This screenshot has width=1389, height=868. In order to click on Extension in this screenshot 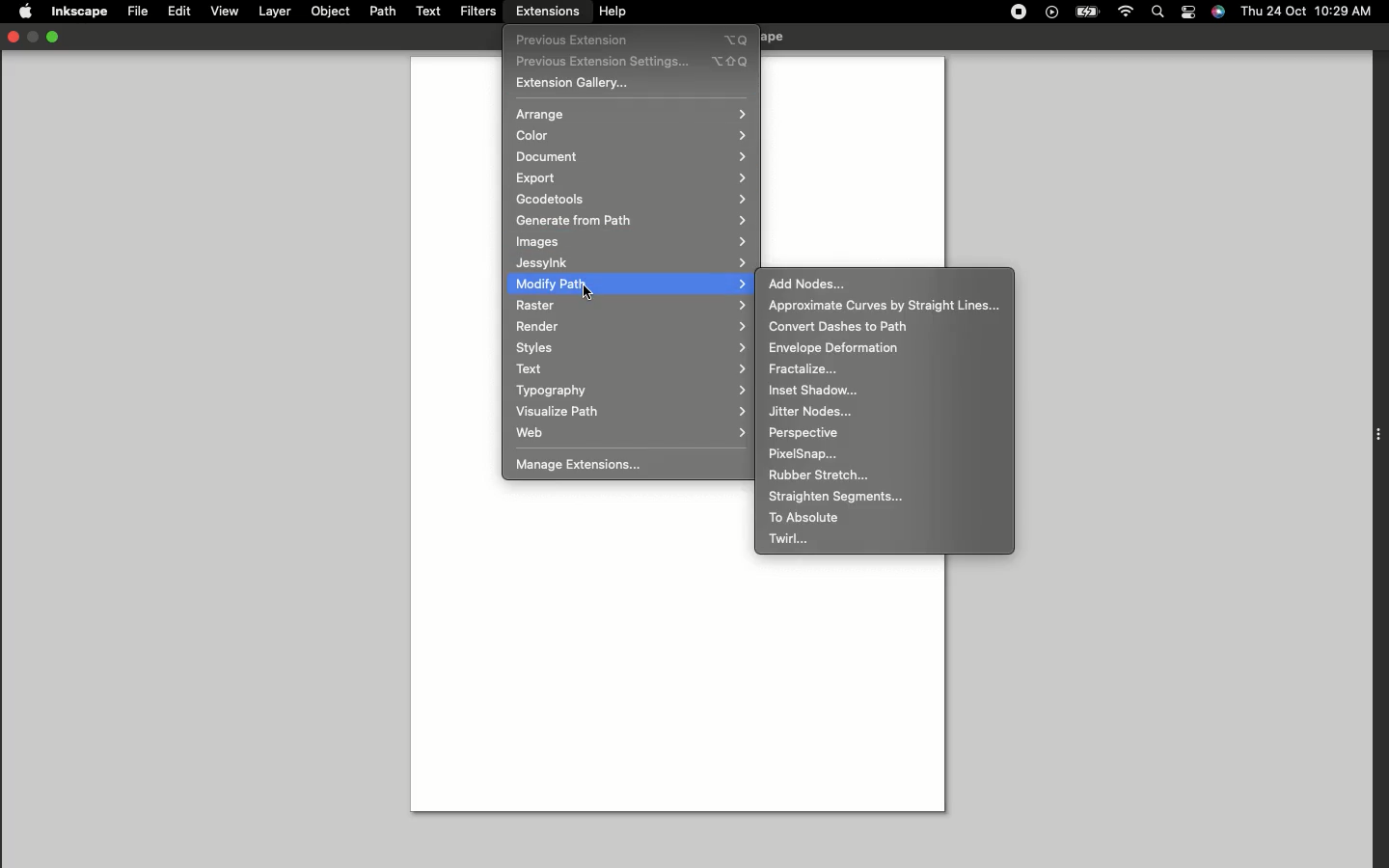, I will do `click(1379, 427)`.